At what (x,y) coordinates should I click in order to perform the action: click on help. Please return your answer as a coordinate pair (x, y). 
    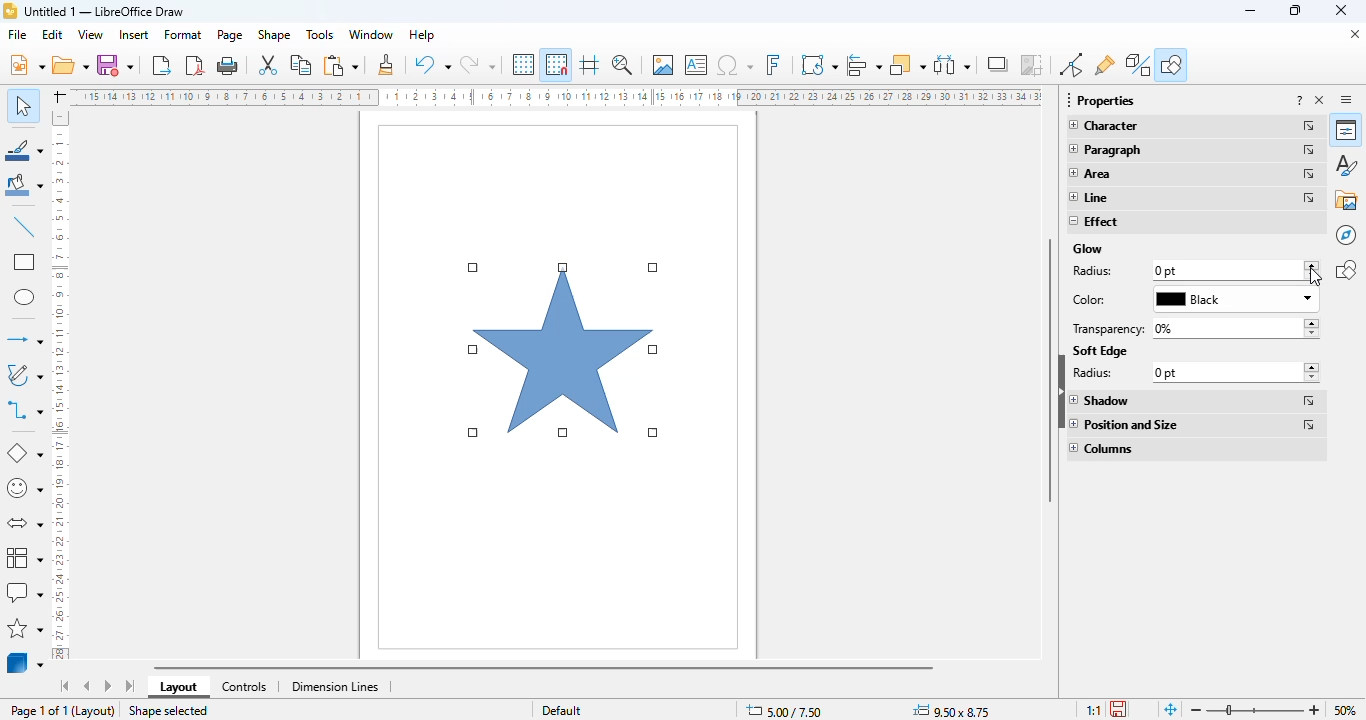
    Looking at the image, I should click on (423, 35).